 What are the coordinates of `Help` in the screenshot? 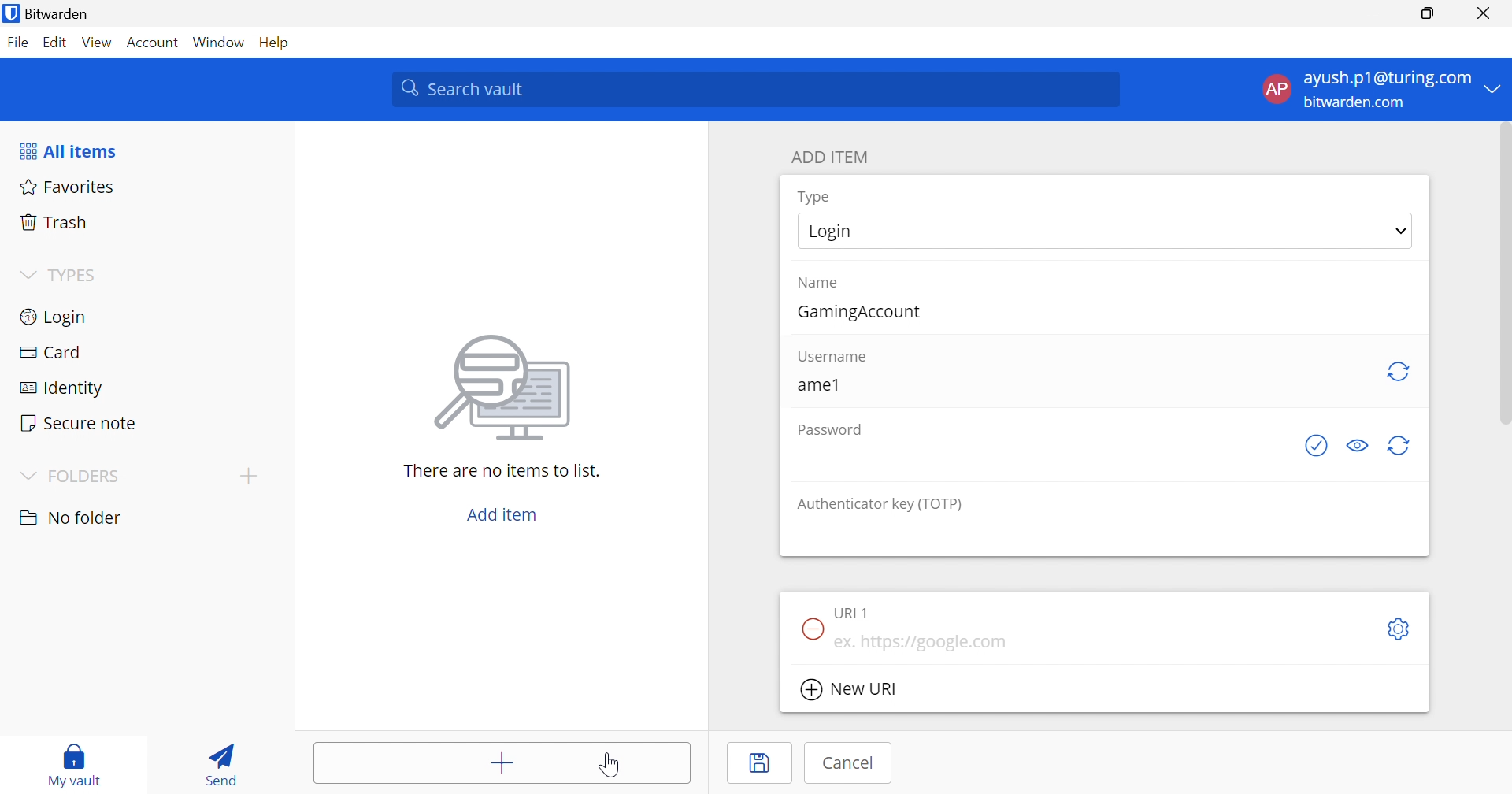 It's located at (273, 43).